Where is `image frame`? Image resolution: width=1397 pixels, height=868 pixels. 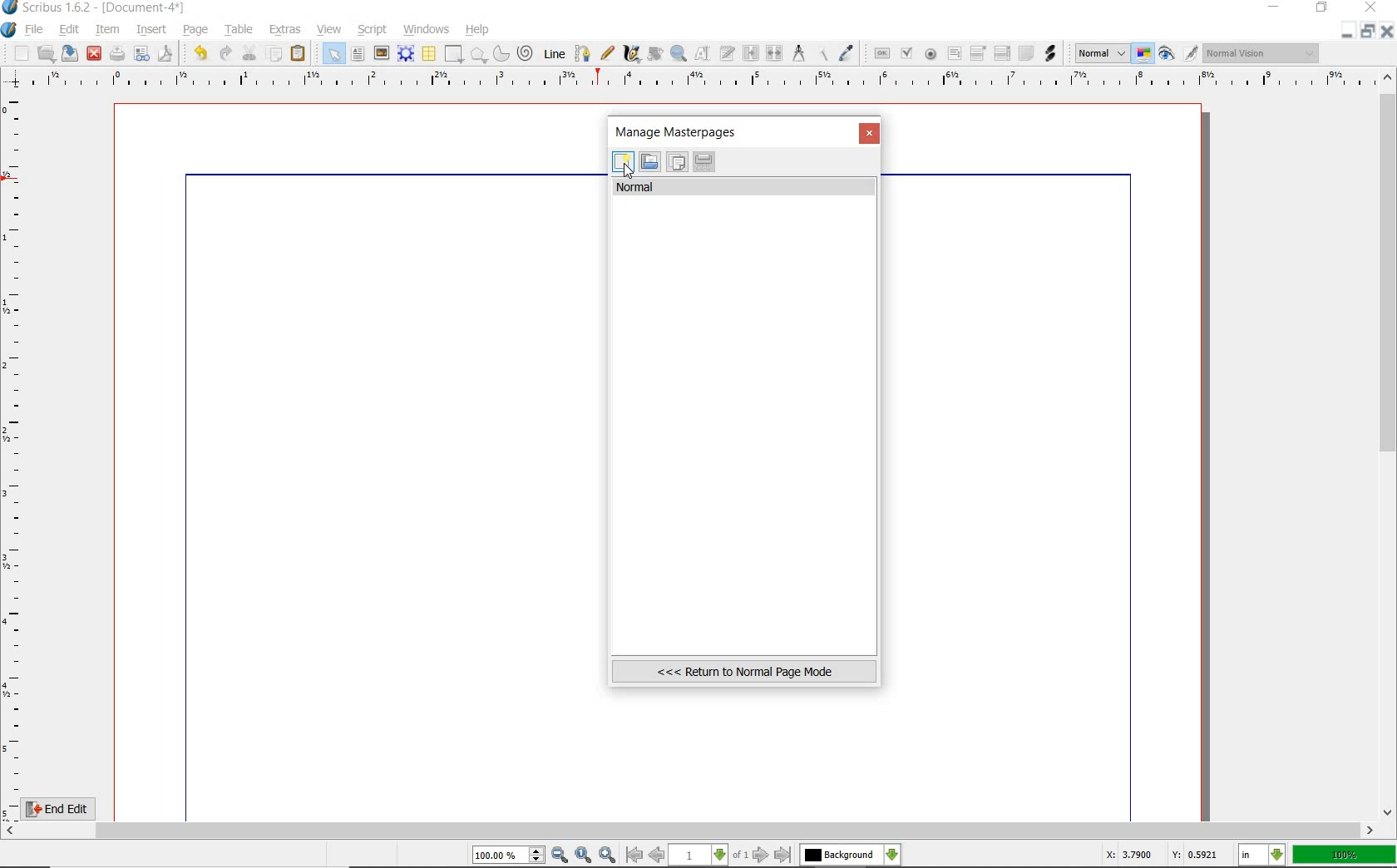 image frame is located at coordinates (382, 53).